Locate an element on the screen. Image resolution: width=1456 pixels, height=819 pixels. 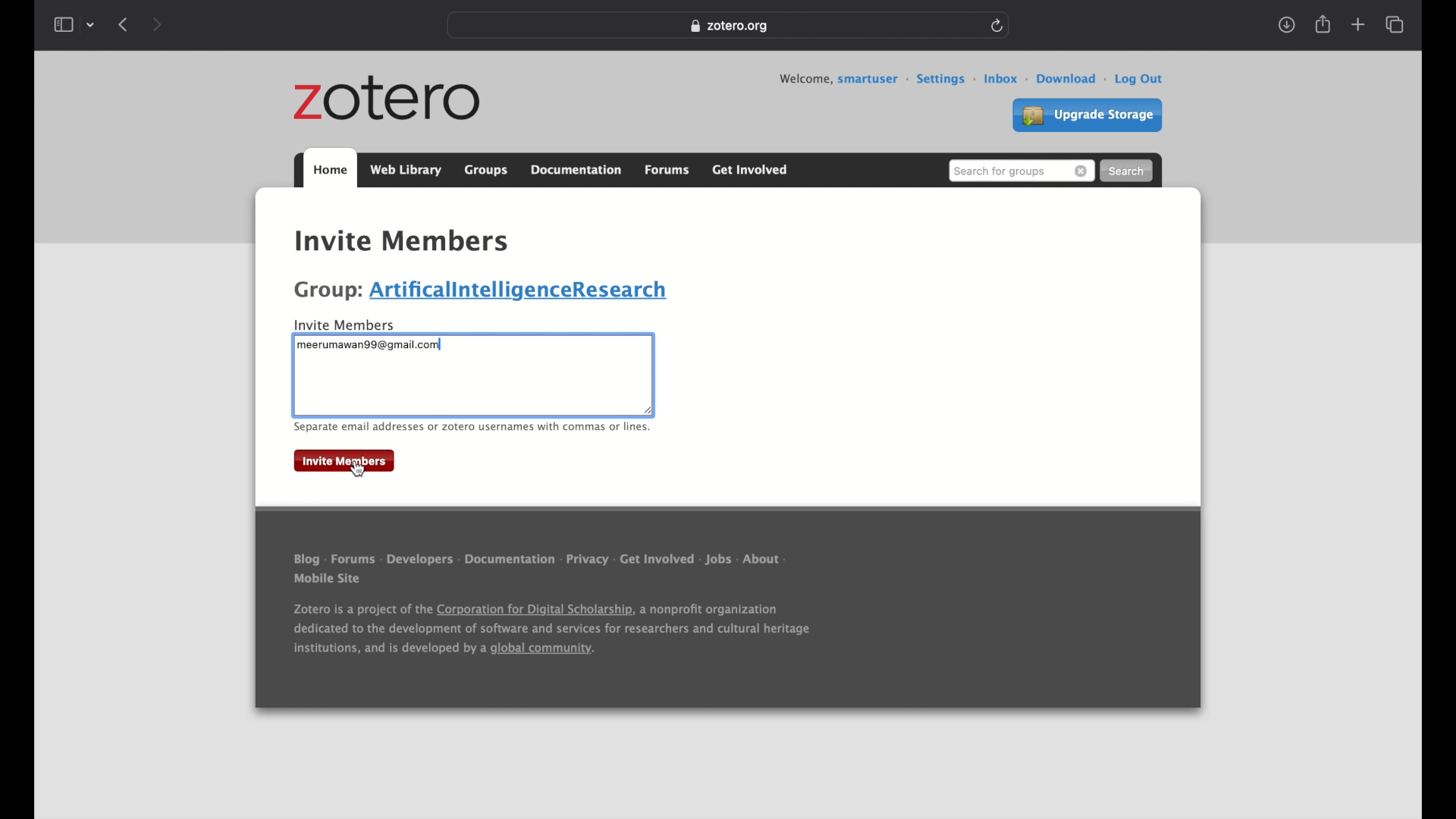
invite members is located at coordinates (350, 323).